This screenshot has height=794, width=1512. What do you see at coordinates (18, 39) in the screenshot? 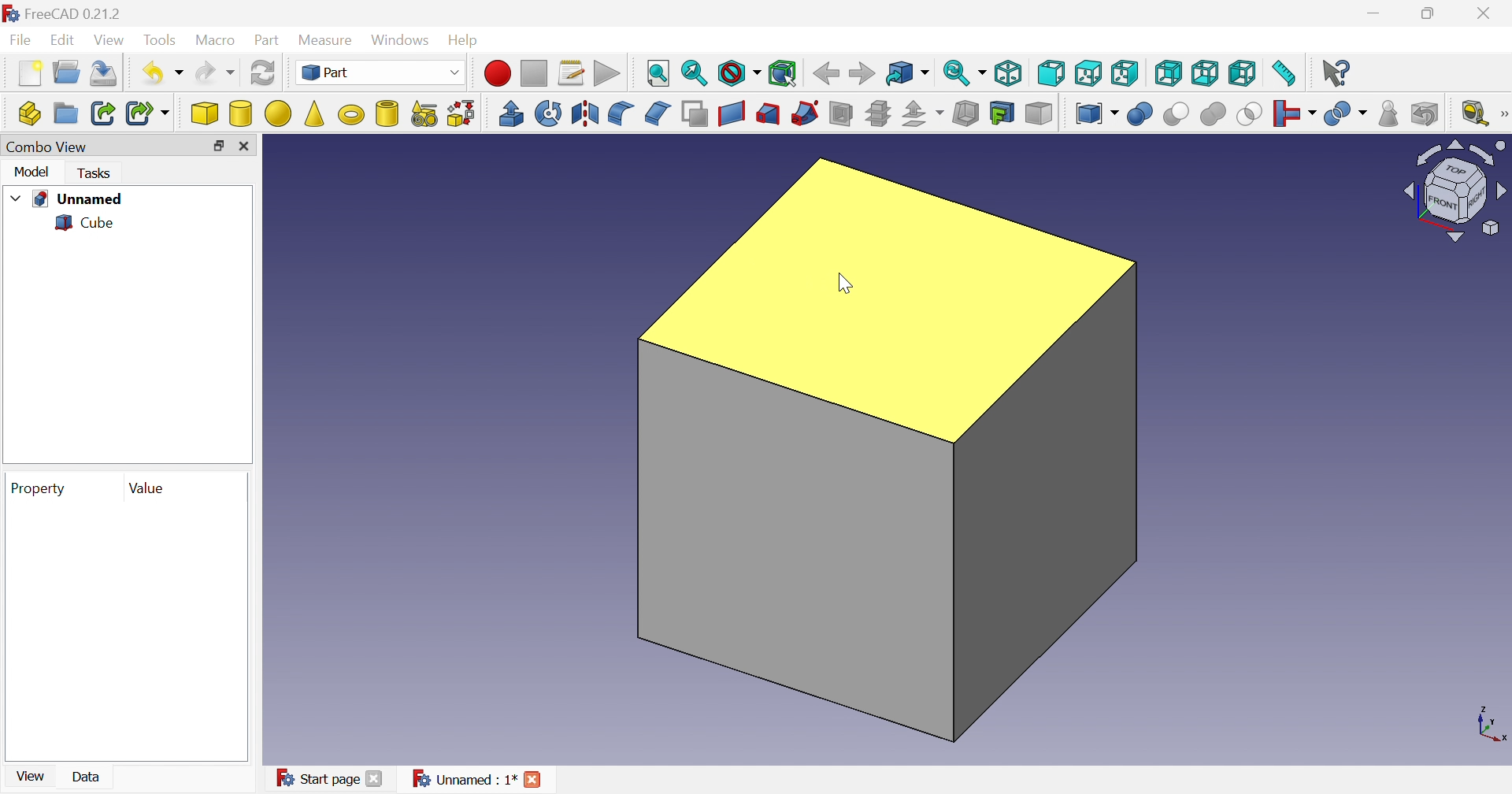
I see `File` at bounding box center [18, 39].